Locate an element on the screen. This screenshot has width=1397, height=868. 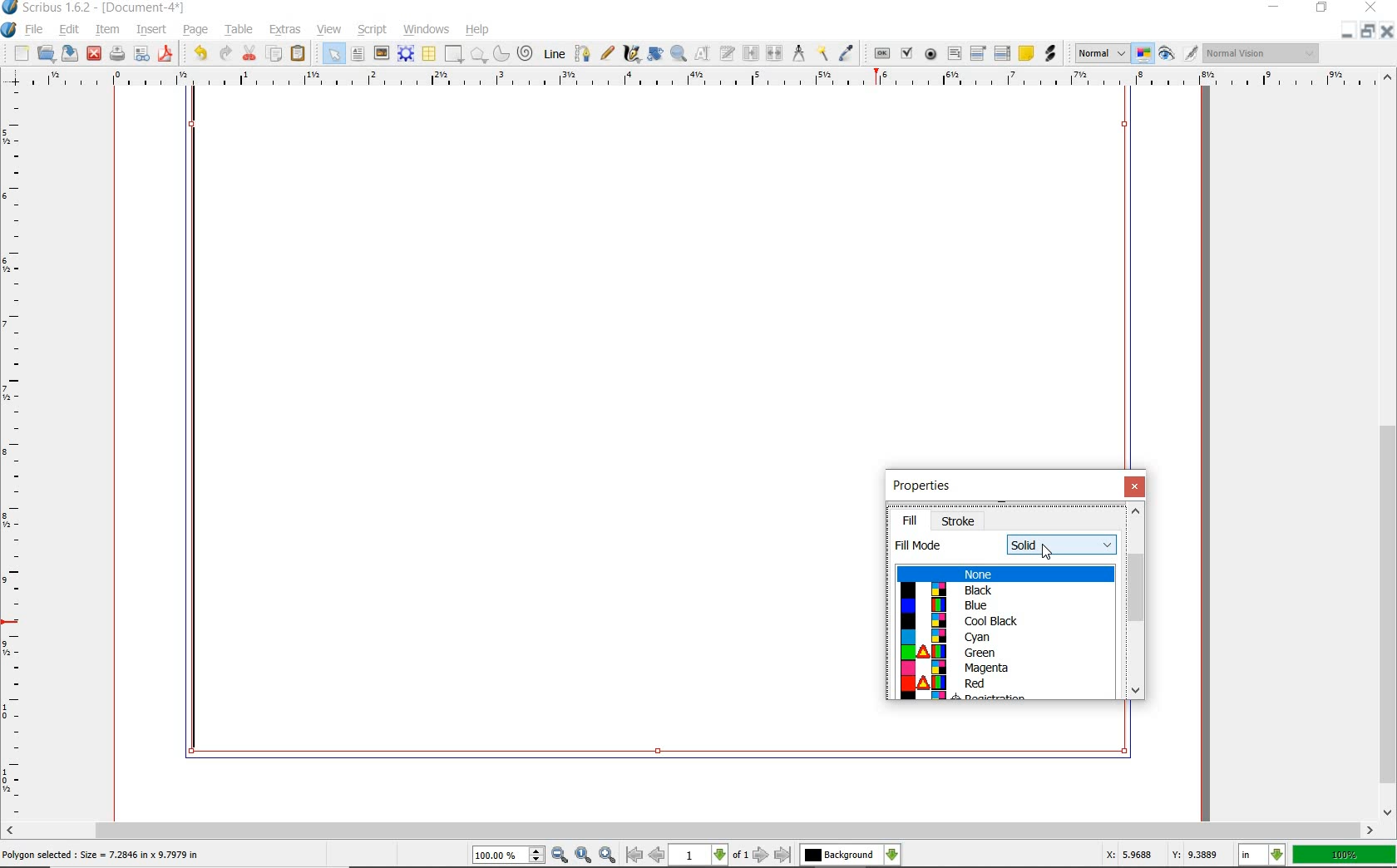
edit text with story editor is located at coordinates (726, 54).